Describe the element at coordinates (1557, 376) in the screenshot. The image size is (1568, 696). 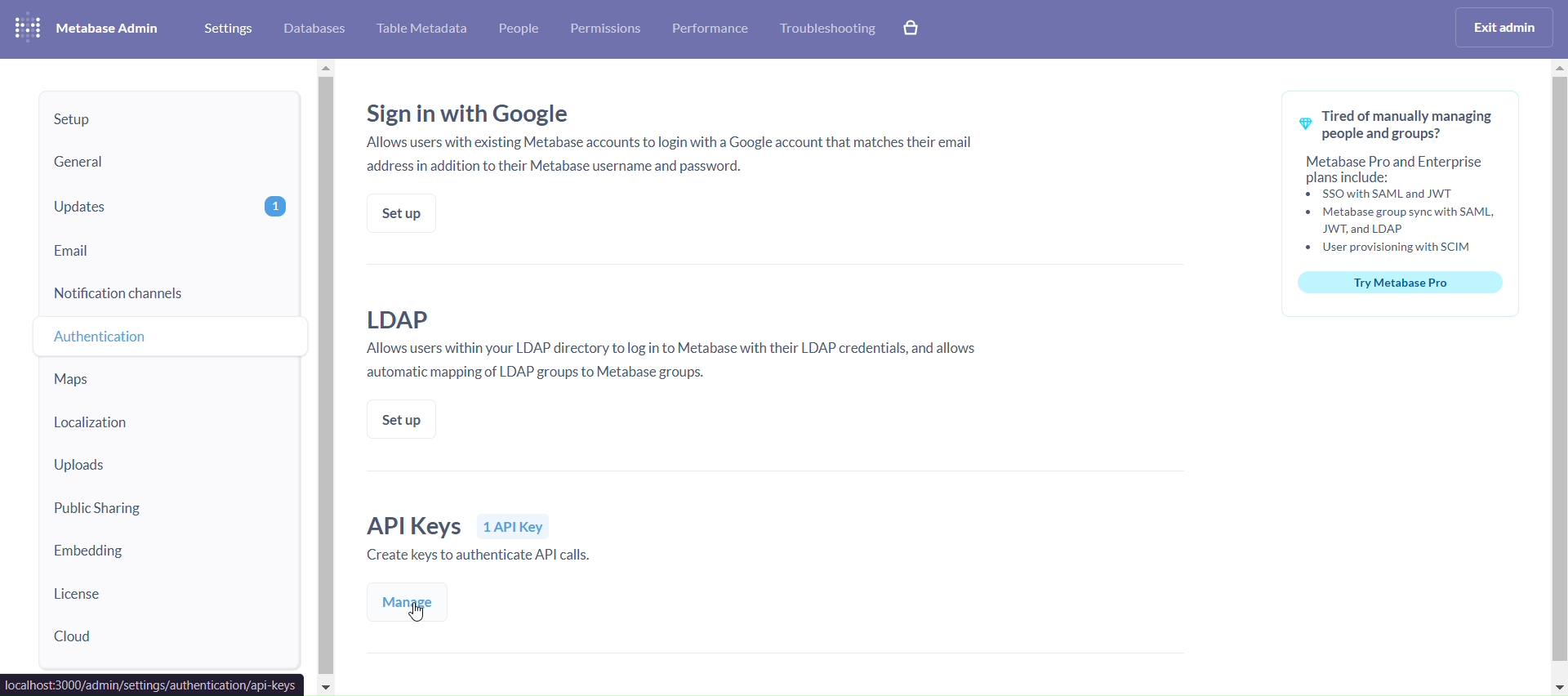
I see `vertical scroll bar` at that location.